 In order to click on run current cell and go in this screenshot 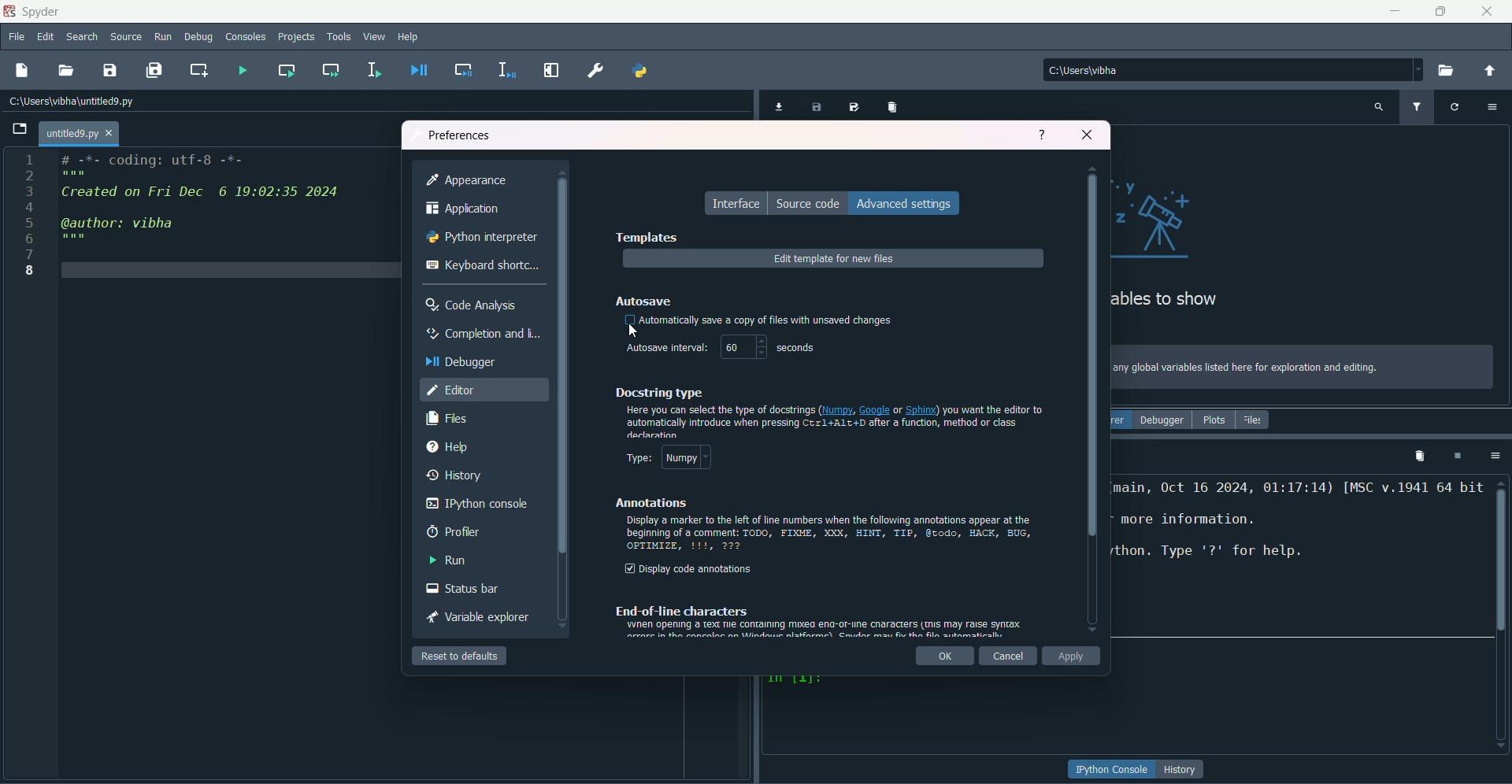, I will do `click(330, 69)`.